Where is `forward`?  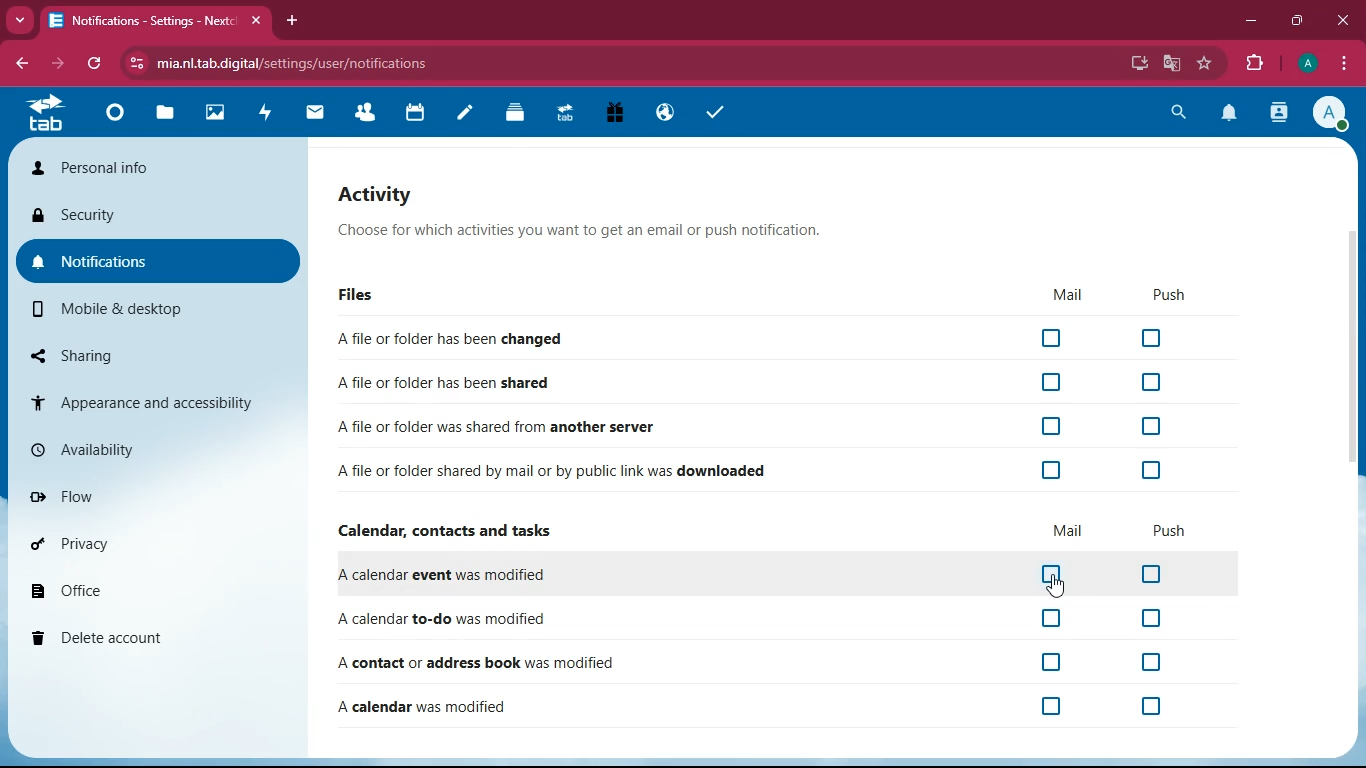
forward is located at coordinates (58, 62).